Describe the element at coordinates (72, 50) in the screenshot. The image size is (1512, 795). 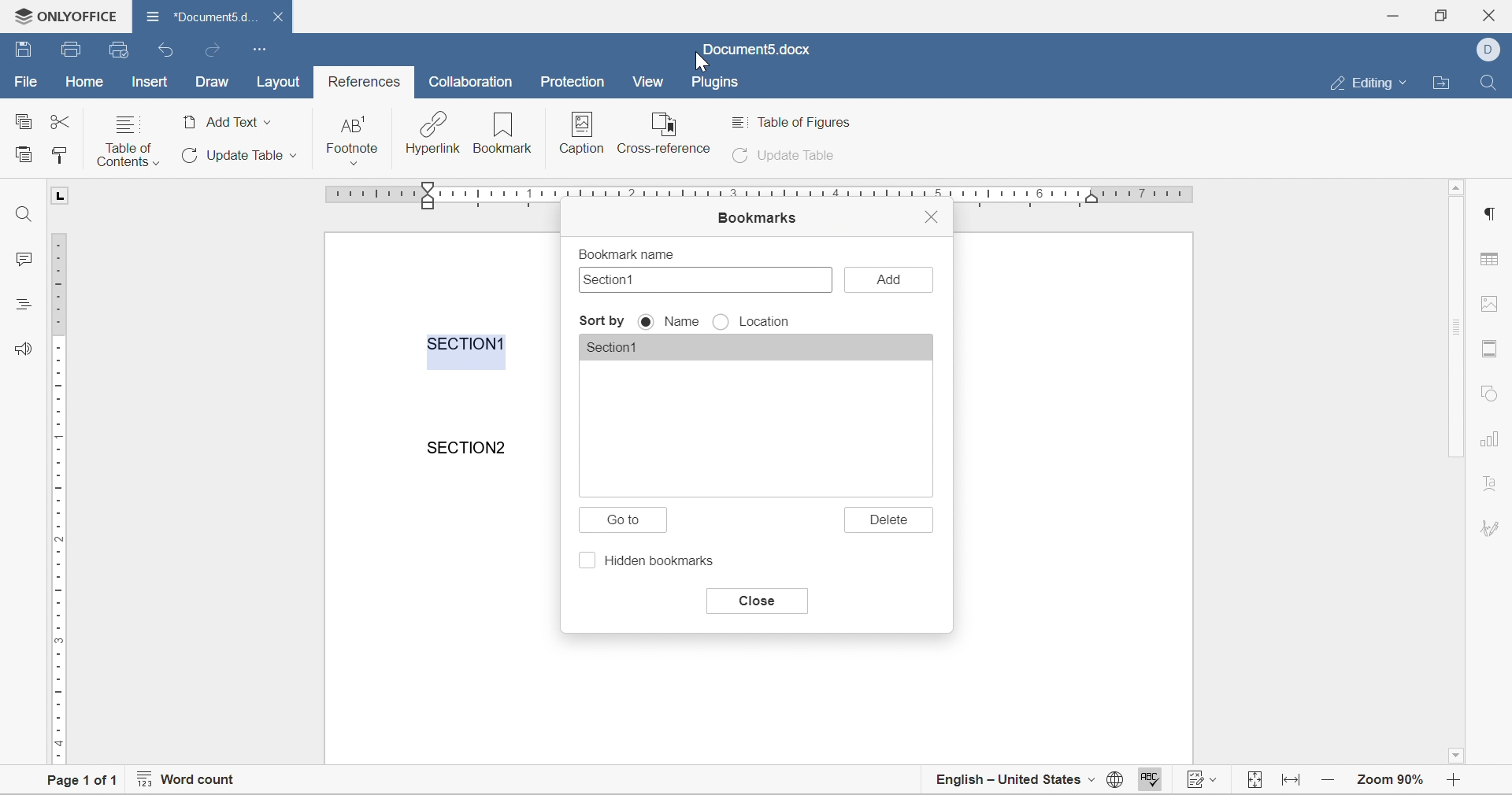
I see `save` at that location.